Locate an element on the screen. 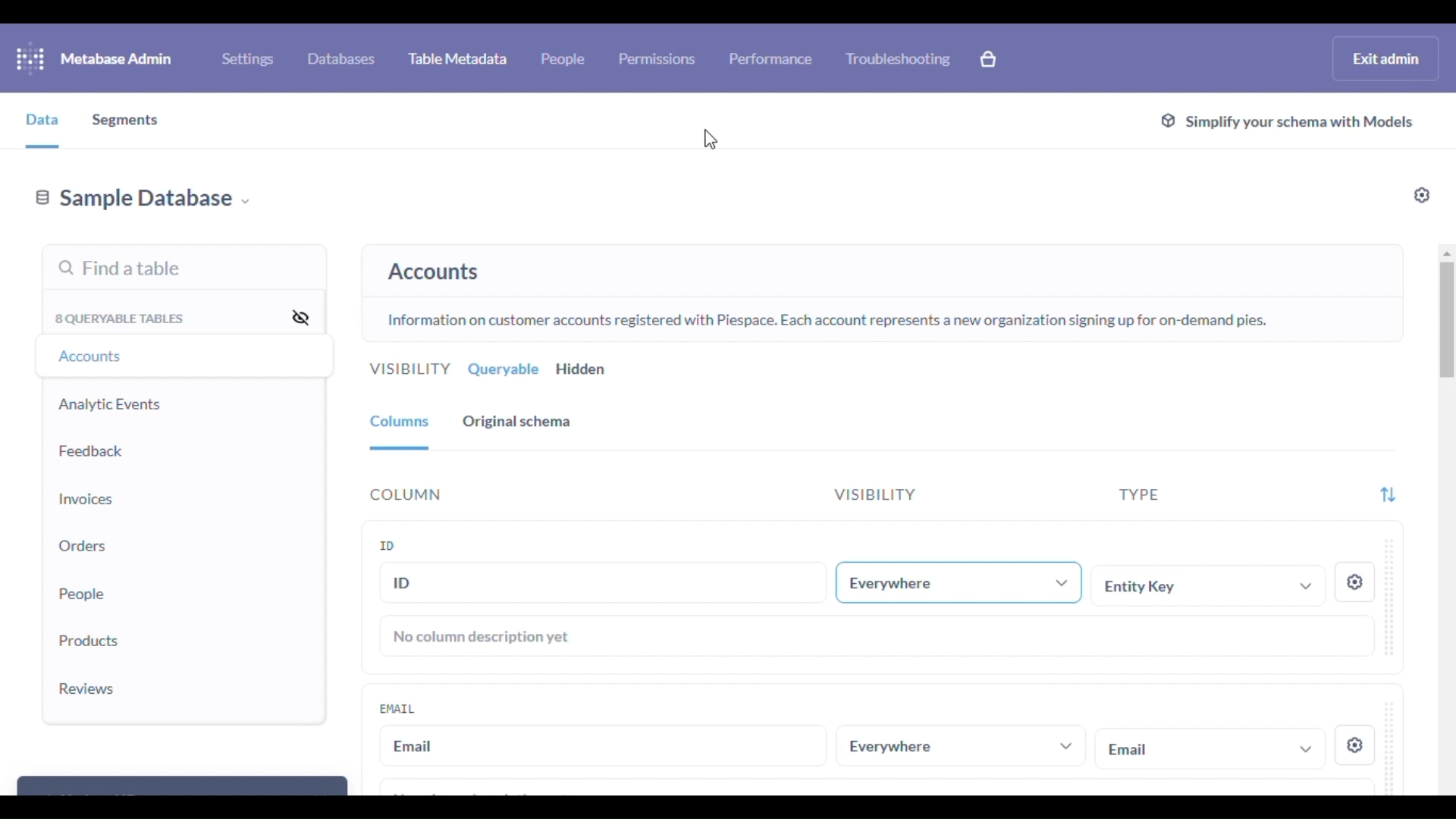  queryable is located at coordinates (504, 369).